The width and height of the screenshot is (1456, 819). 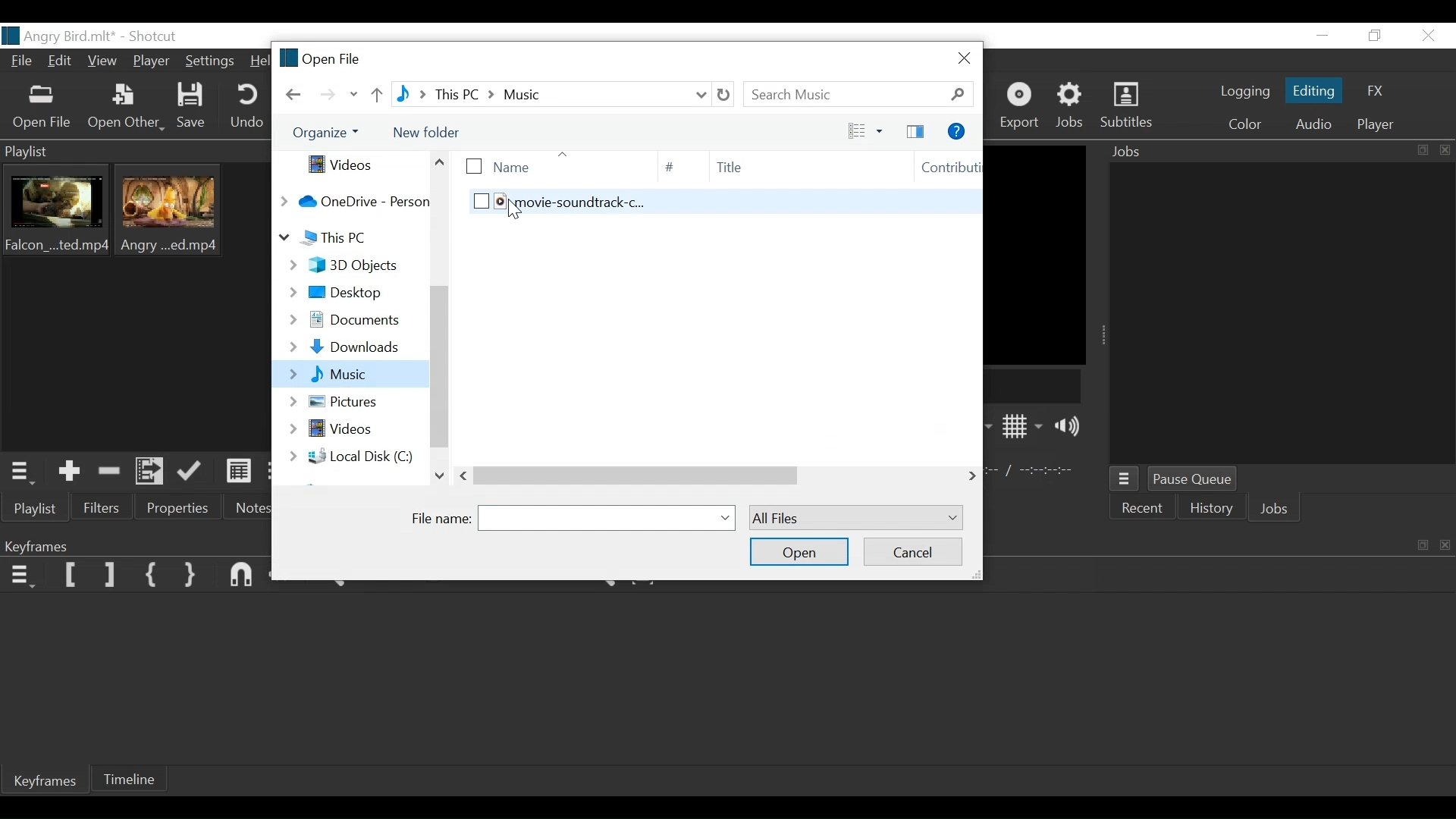 What do you see at coordinates (137, 777) in the screenshot?
I see `Timeline` at bounding box center [137, 777].